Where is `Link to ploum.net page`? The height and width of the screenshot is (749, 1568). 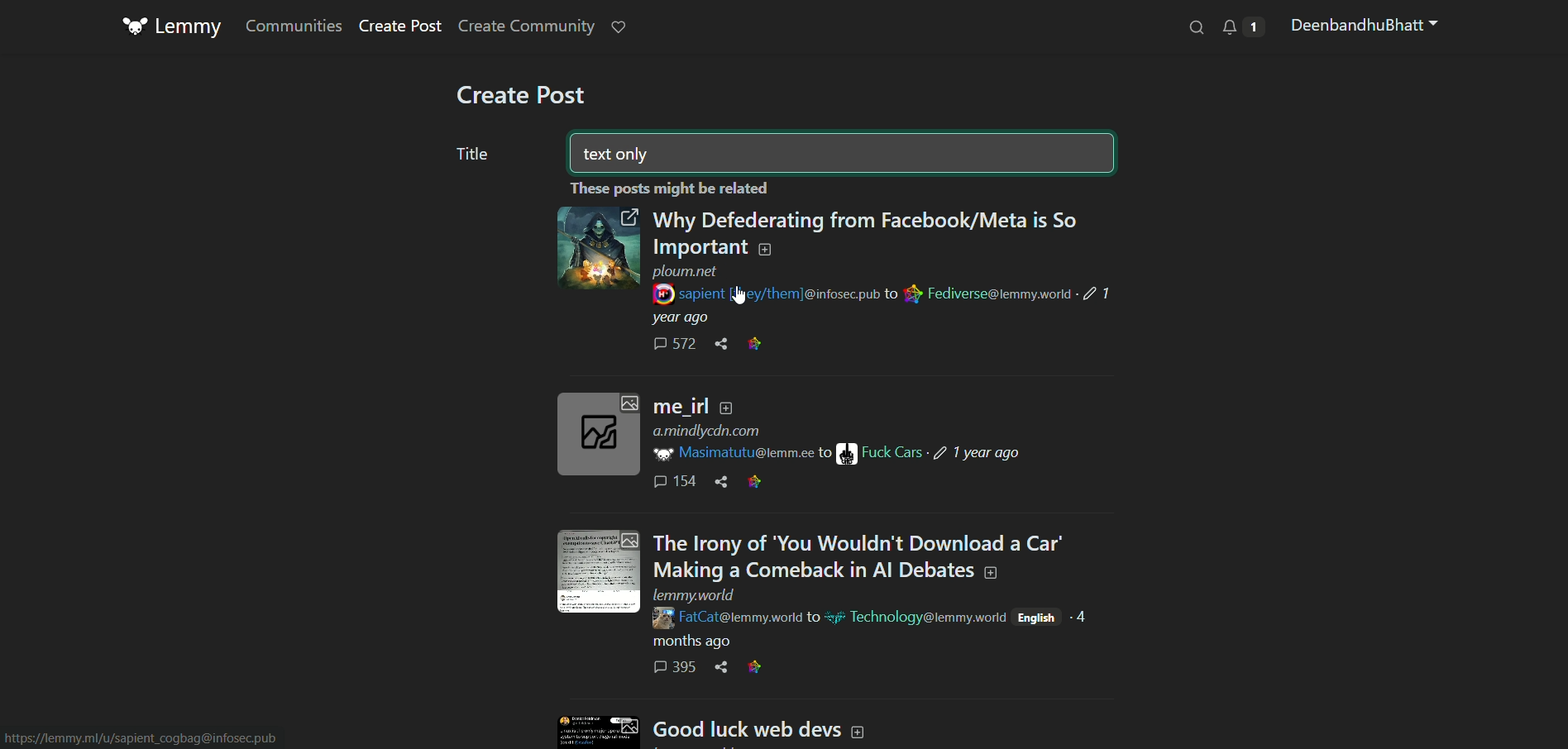
Link to ploum.net page is located at coordinates (684, 271).